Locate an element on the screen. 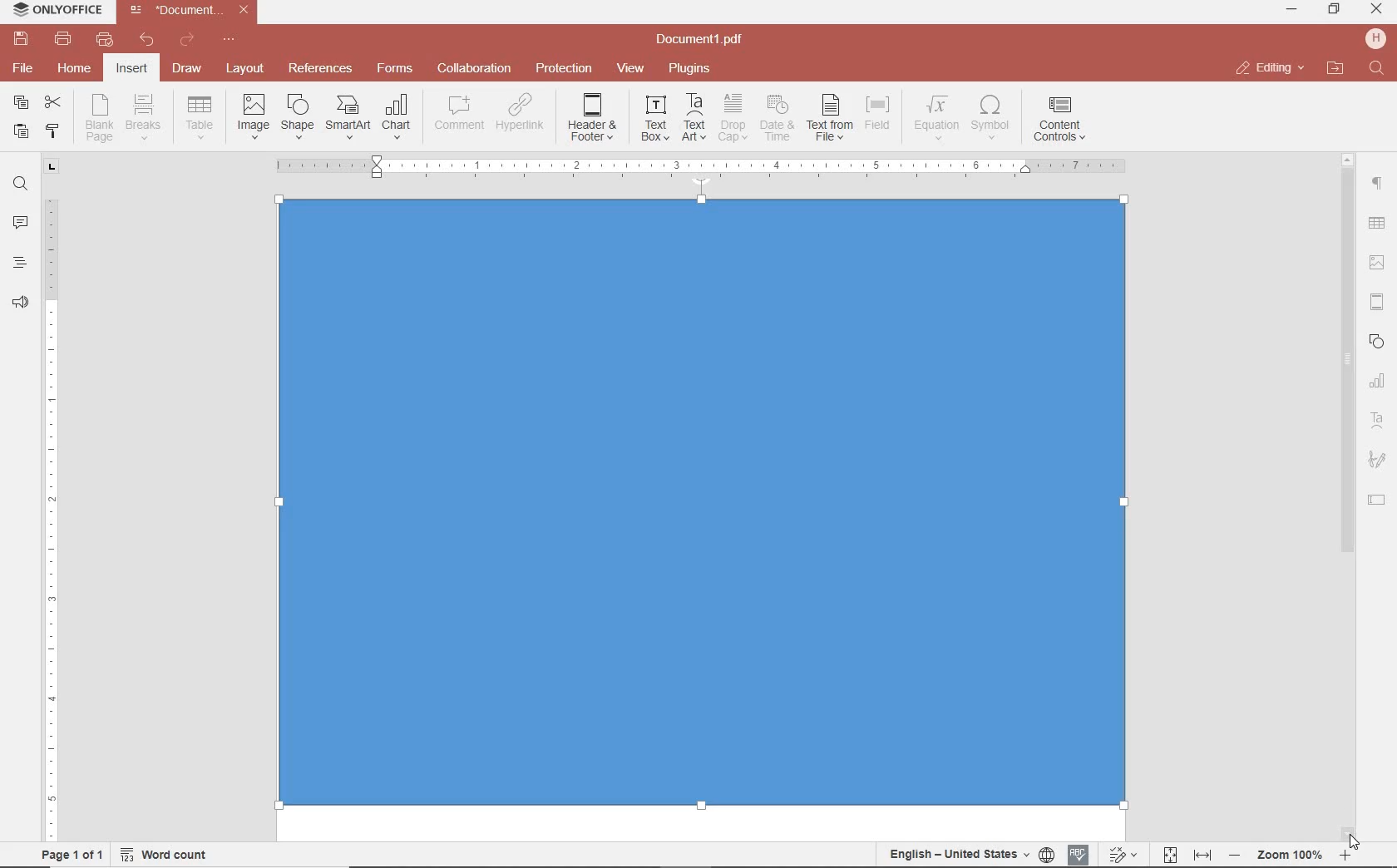  TEXT FROM  FILE is located at coordinates (830, 118).